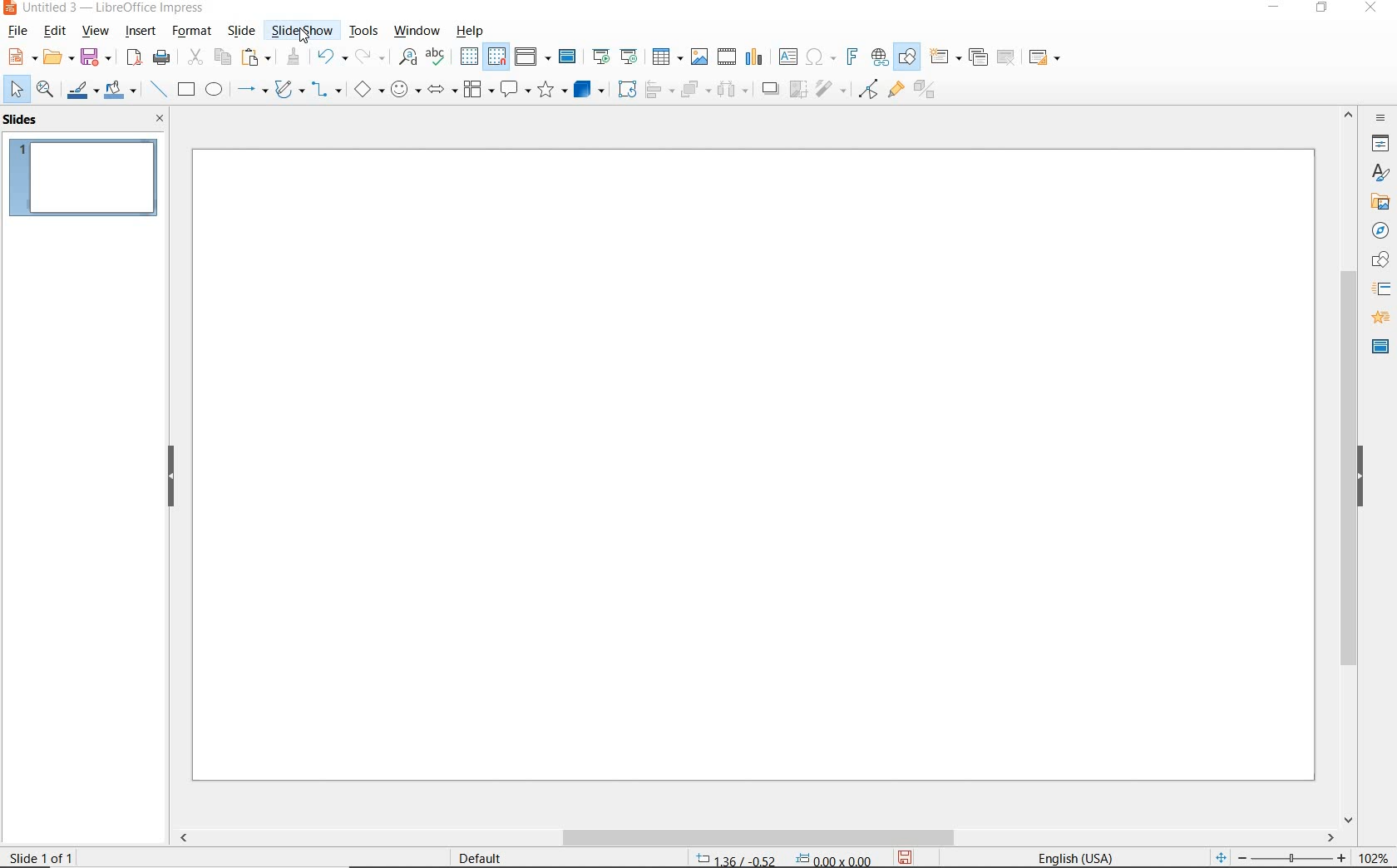 Image resolution: width=1397 pixels, height=868 pixels. Describe the element at coordinates (159, 89) in the screenshot. I see `INSERT LINE` at that location.